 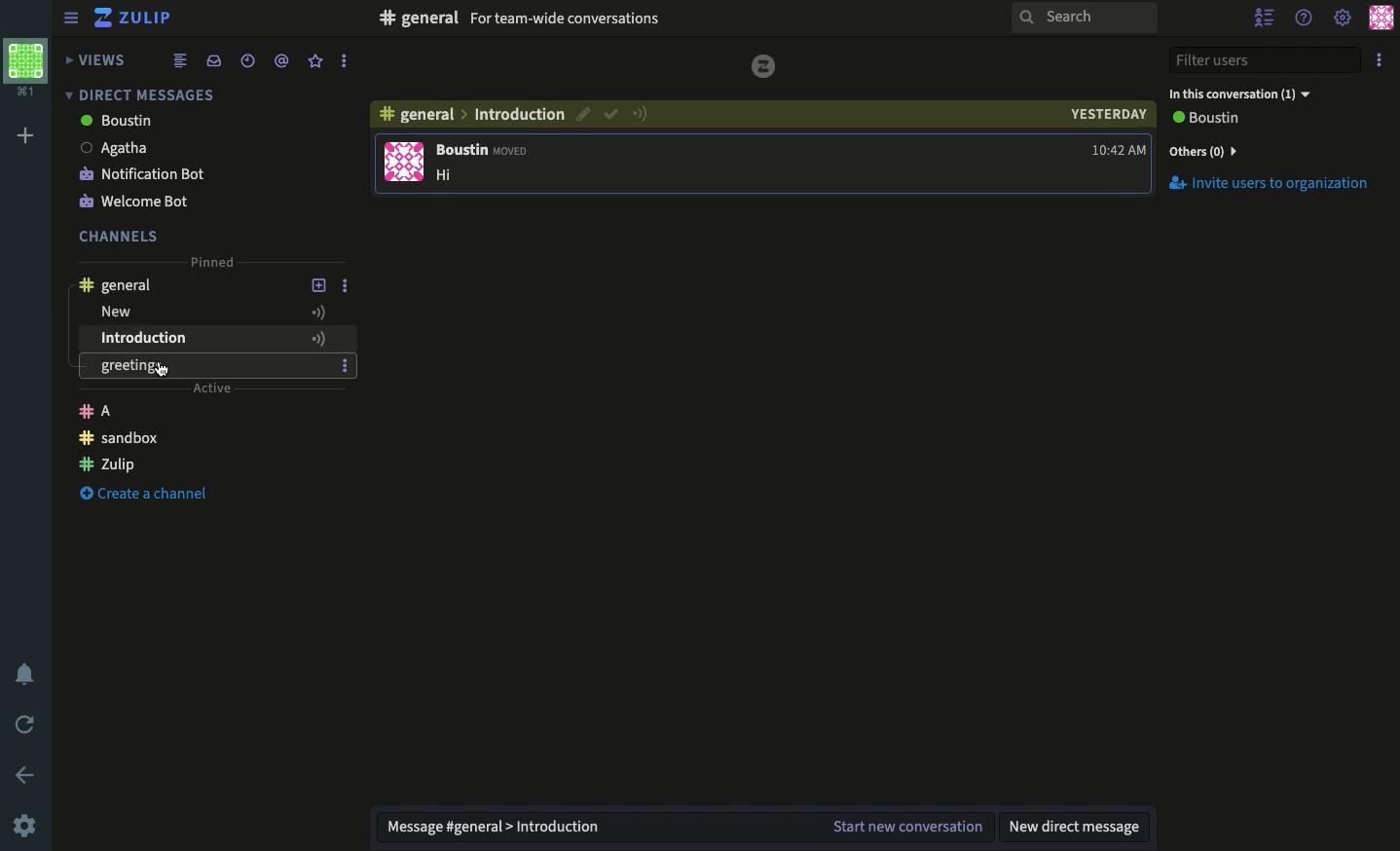 What do you see at coordinates (1238, 93) in the screenshot?
I see `In this conversation` at bounding box center [1238, 93].